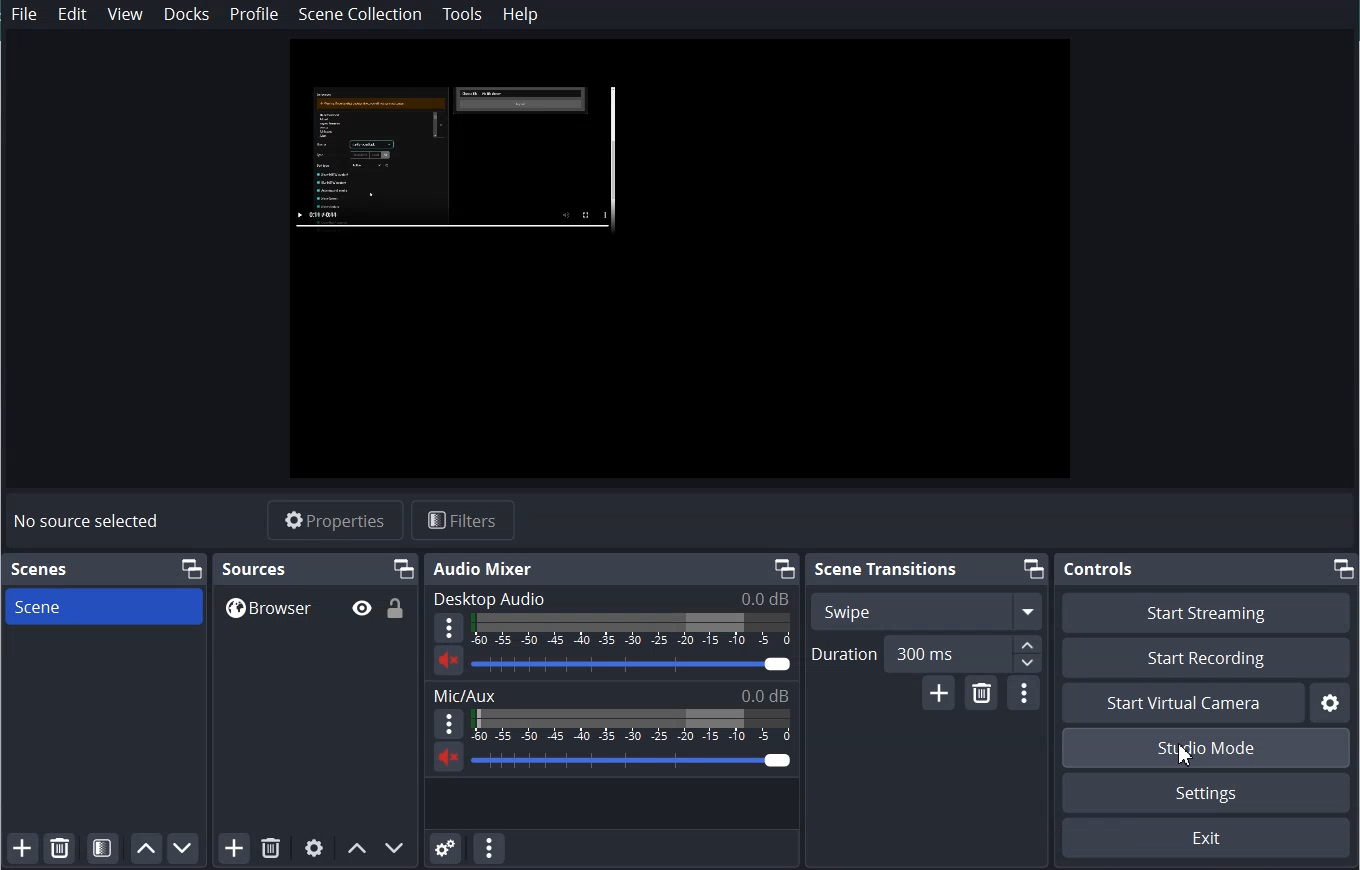  Describe the element at coordinates (395, 848) in the screenshot. I see `Move Source Down` at that location.